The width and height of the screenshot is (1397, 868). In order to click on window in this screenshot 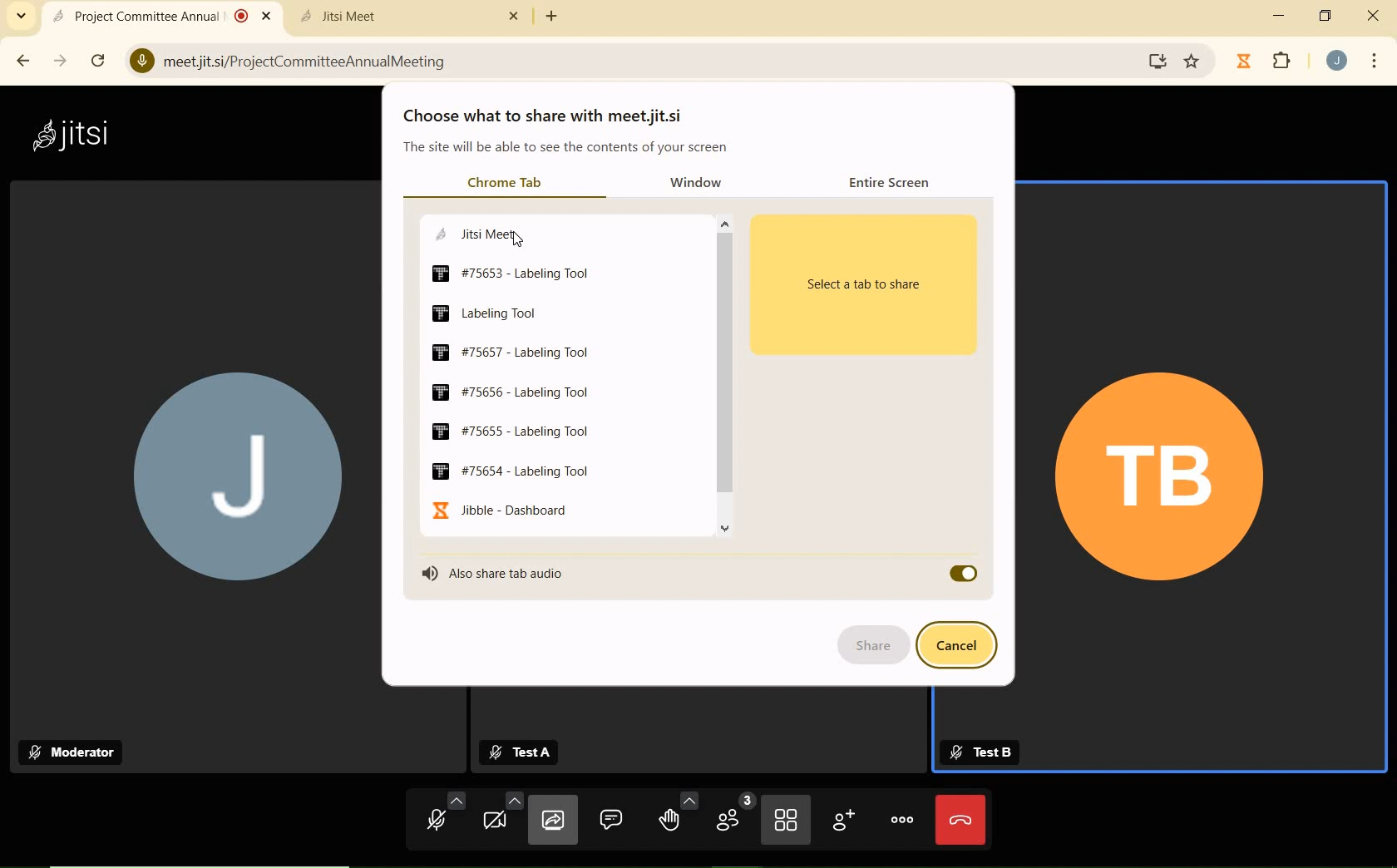, I will do `click(700, 182)`.